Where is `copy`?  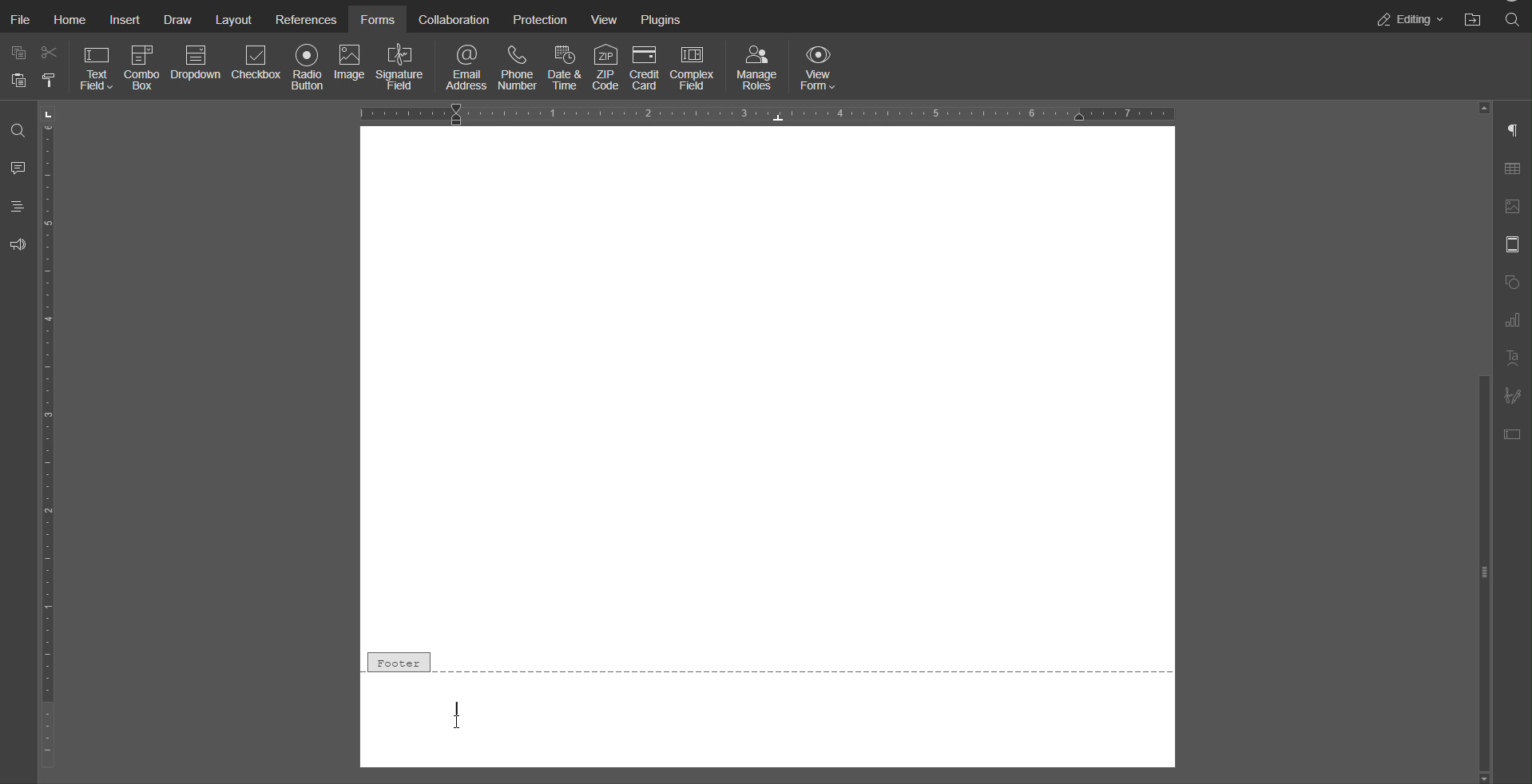
copy is located at coordinates (18, 52).